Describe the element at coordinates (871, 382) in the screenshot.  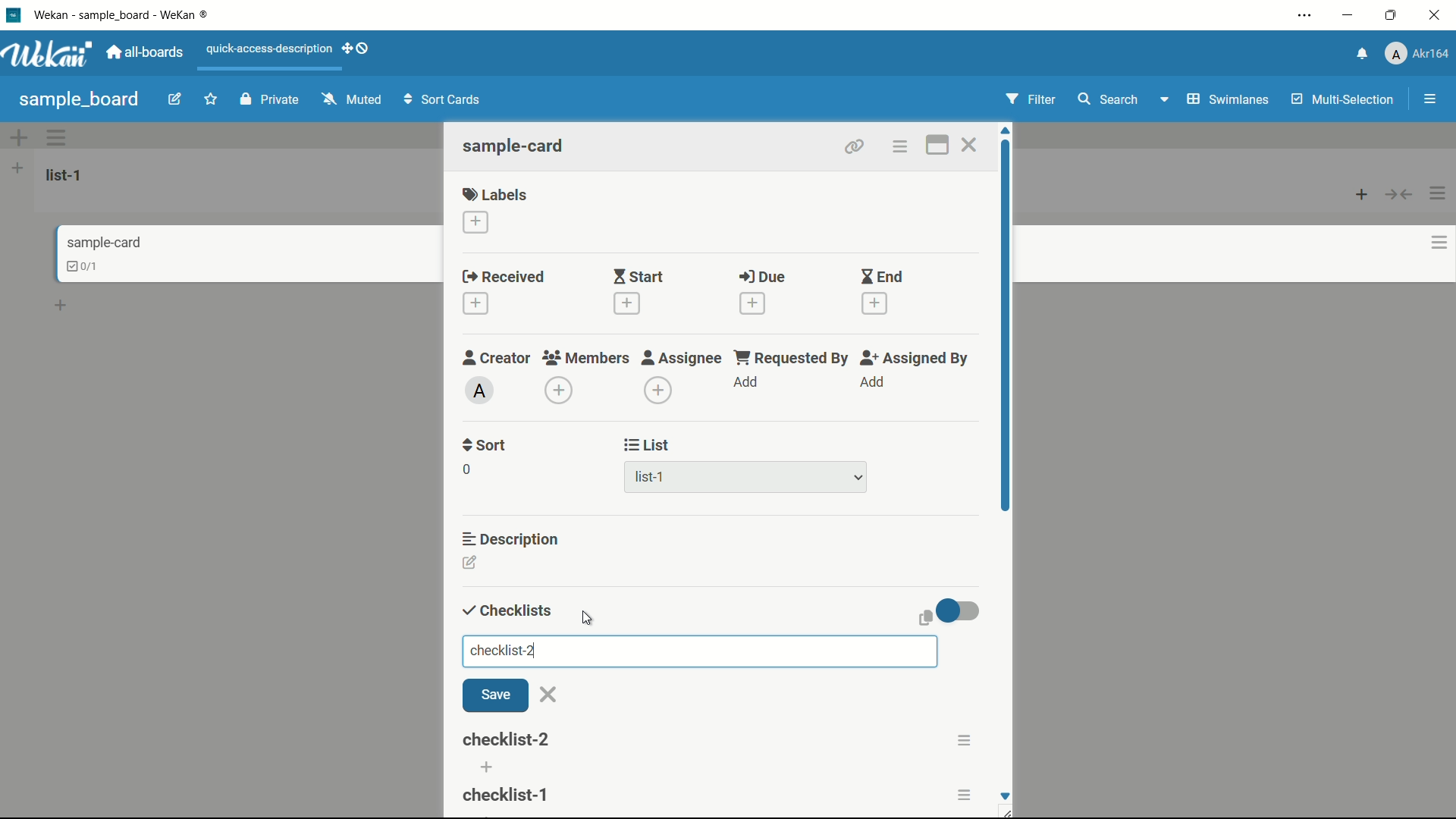
I see `add` at that location.